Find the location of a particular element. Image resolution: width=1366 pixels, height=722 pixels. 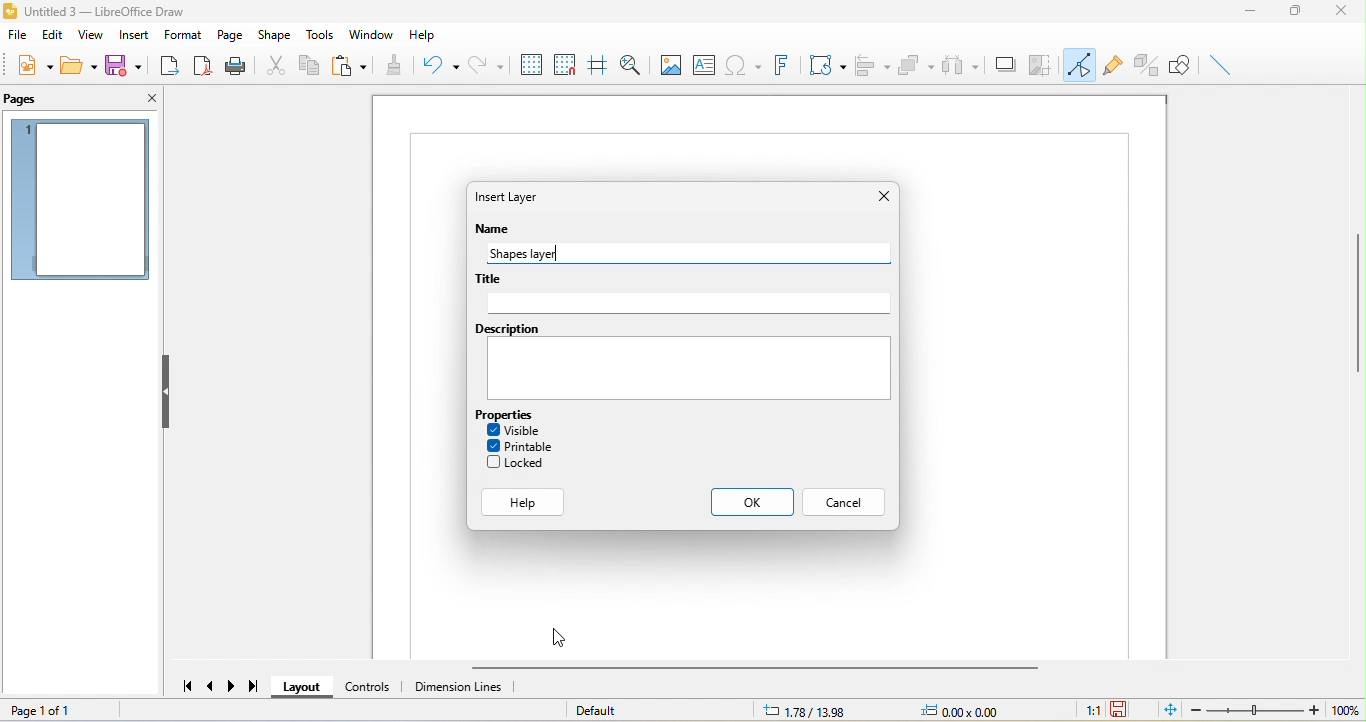

title is located at coordinates (108, 10).